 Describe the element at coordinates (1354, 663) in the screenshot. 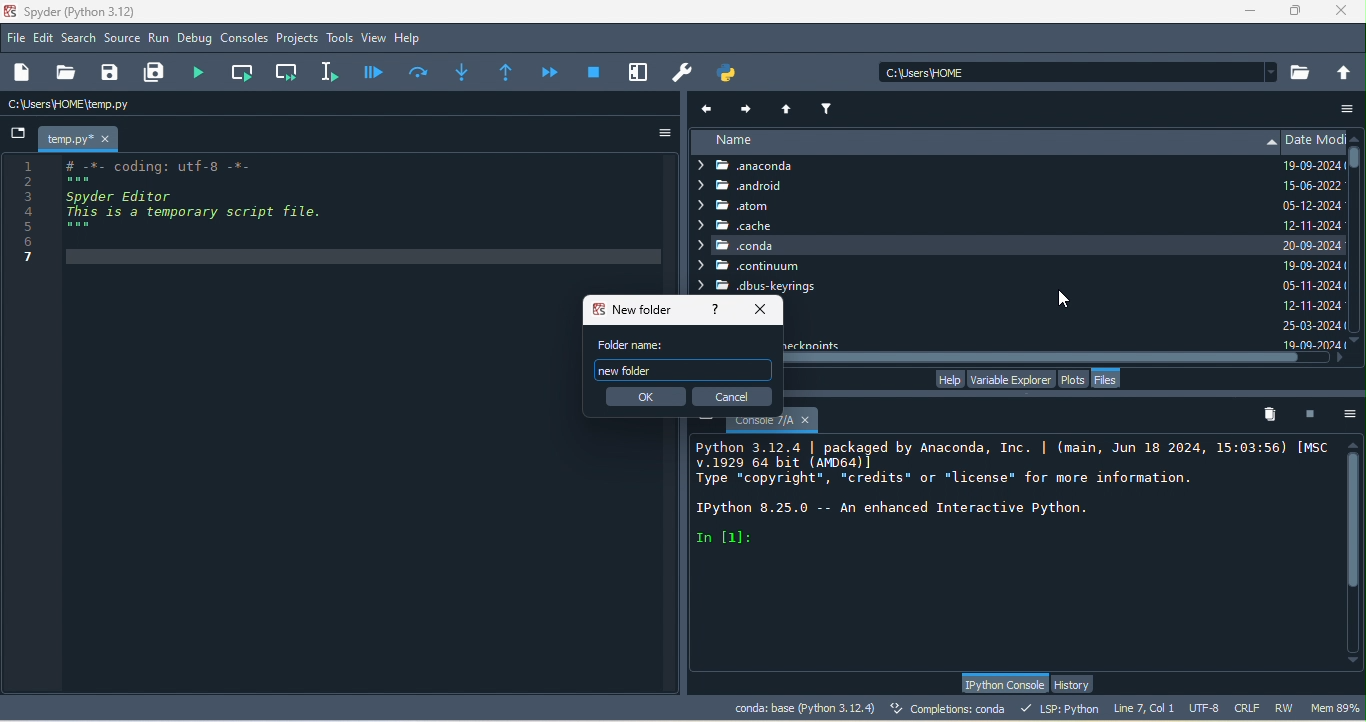

I see `scroll down` at that location.